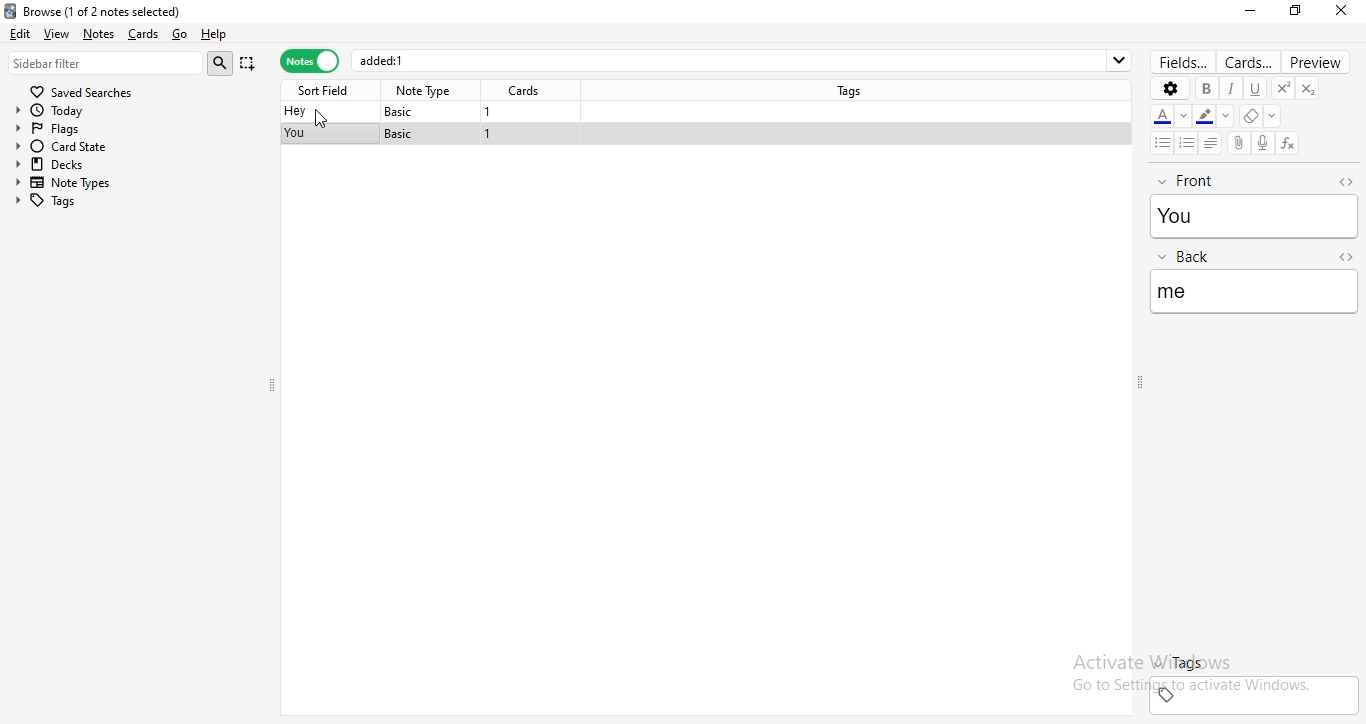 This screenshot has height=724, width=1366. I want to click on basic, so click(401, 134).